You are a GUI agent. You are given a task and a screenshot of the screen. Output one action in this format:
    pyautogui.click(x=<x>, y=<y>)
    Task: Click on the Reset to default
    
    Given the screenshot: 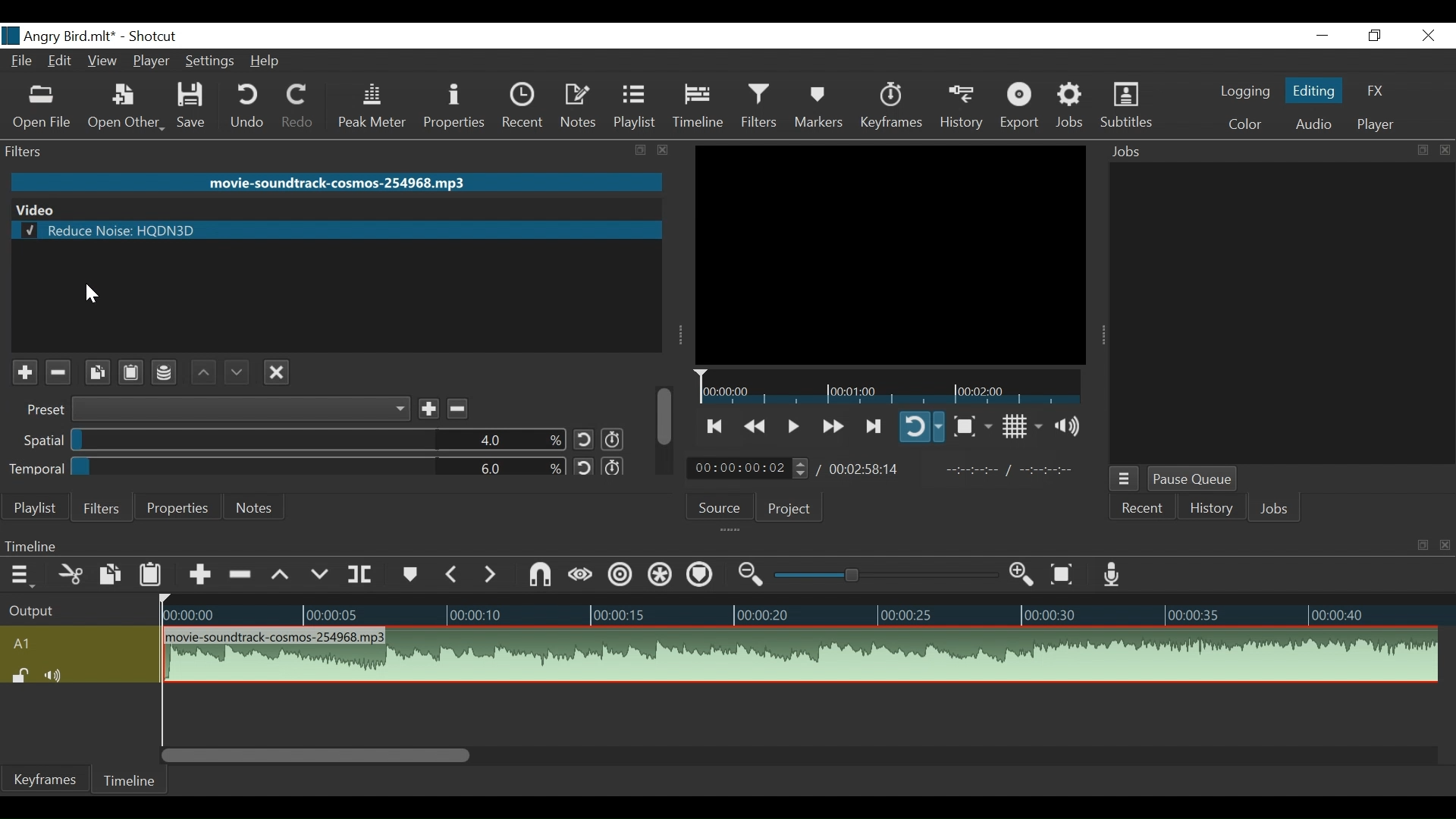 What is the action you would take?
    pyautogui.click(x=585, y=441)
    